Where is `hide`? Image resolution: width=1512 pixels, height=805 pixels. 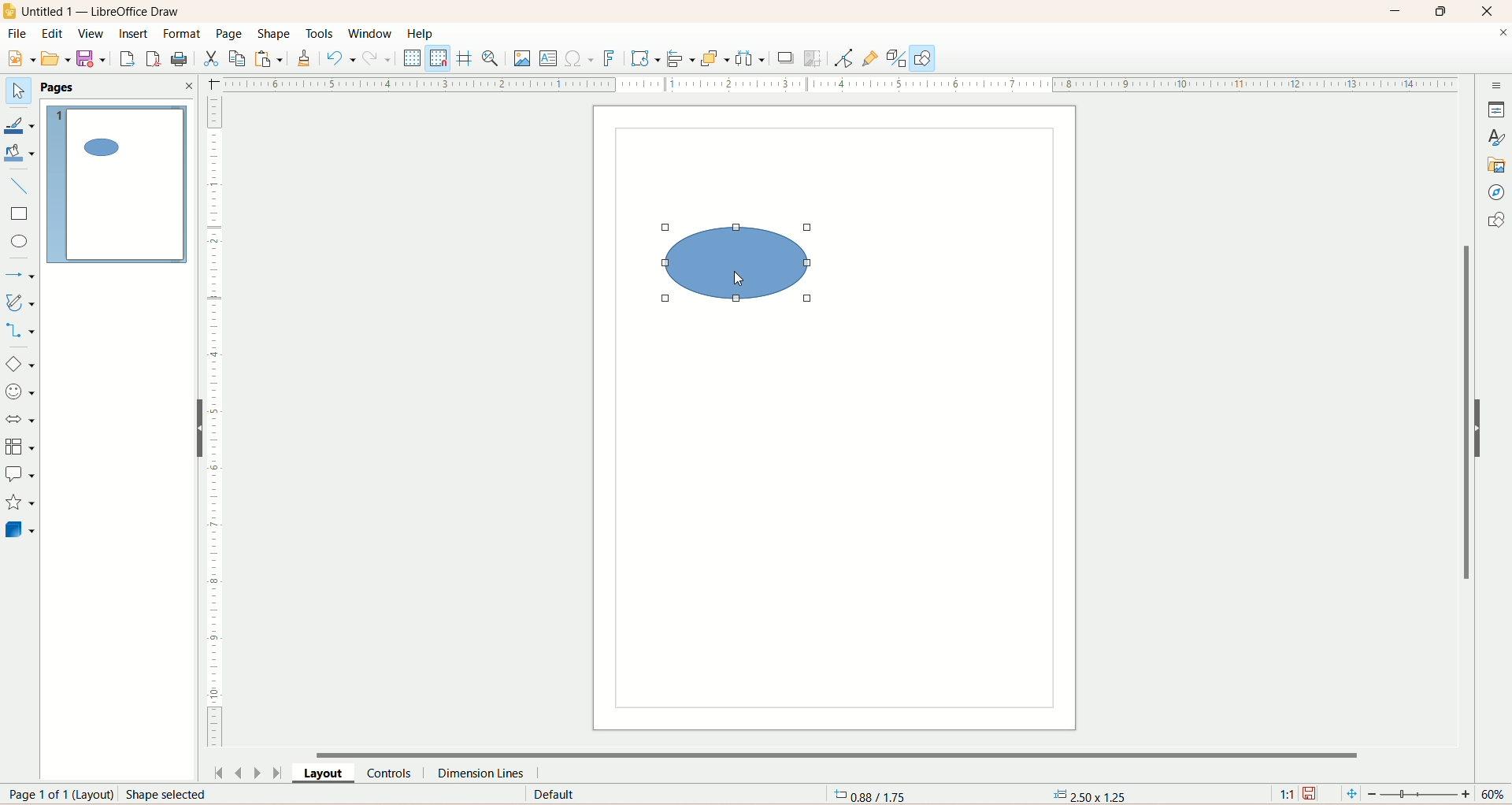
hide is located at coordinates (193, 427).